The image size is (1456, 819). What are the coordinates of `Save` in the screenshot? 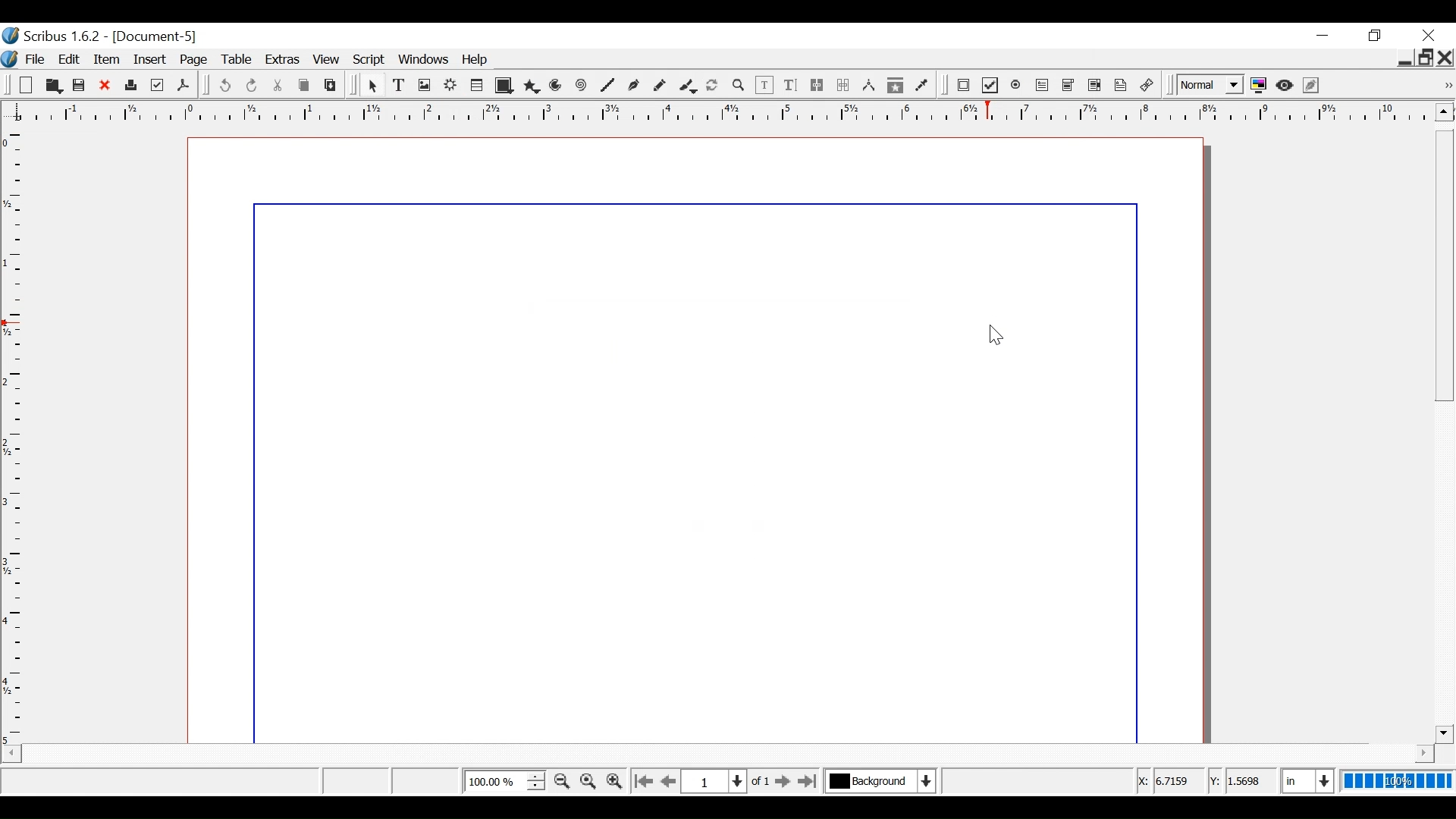 It's located at (80, 86).